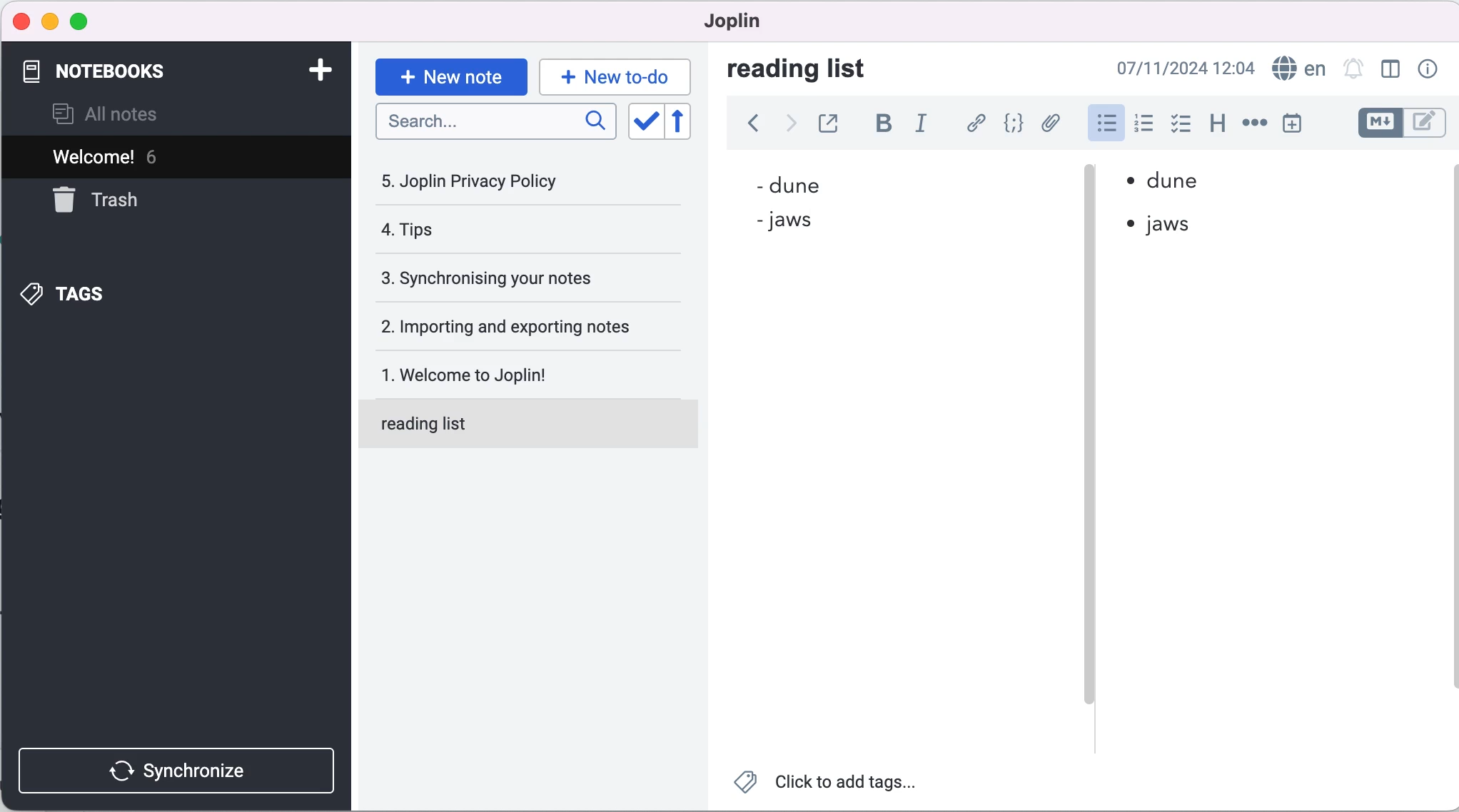 This screenshot has height=812, width=1459. What do you see at coordinates (499, 230) in the screenshot?
I see `tips` at bounding box center [499, 230].